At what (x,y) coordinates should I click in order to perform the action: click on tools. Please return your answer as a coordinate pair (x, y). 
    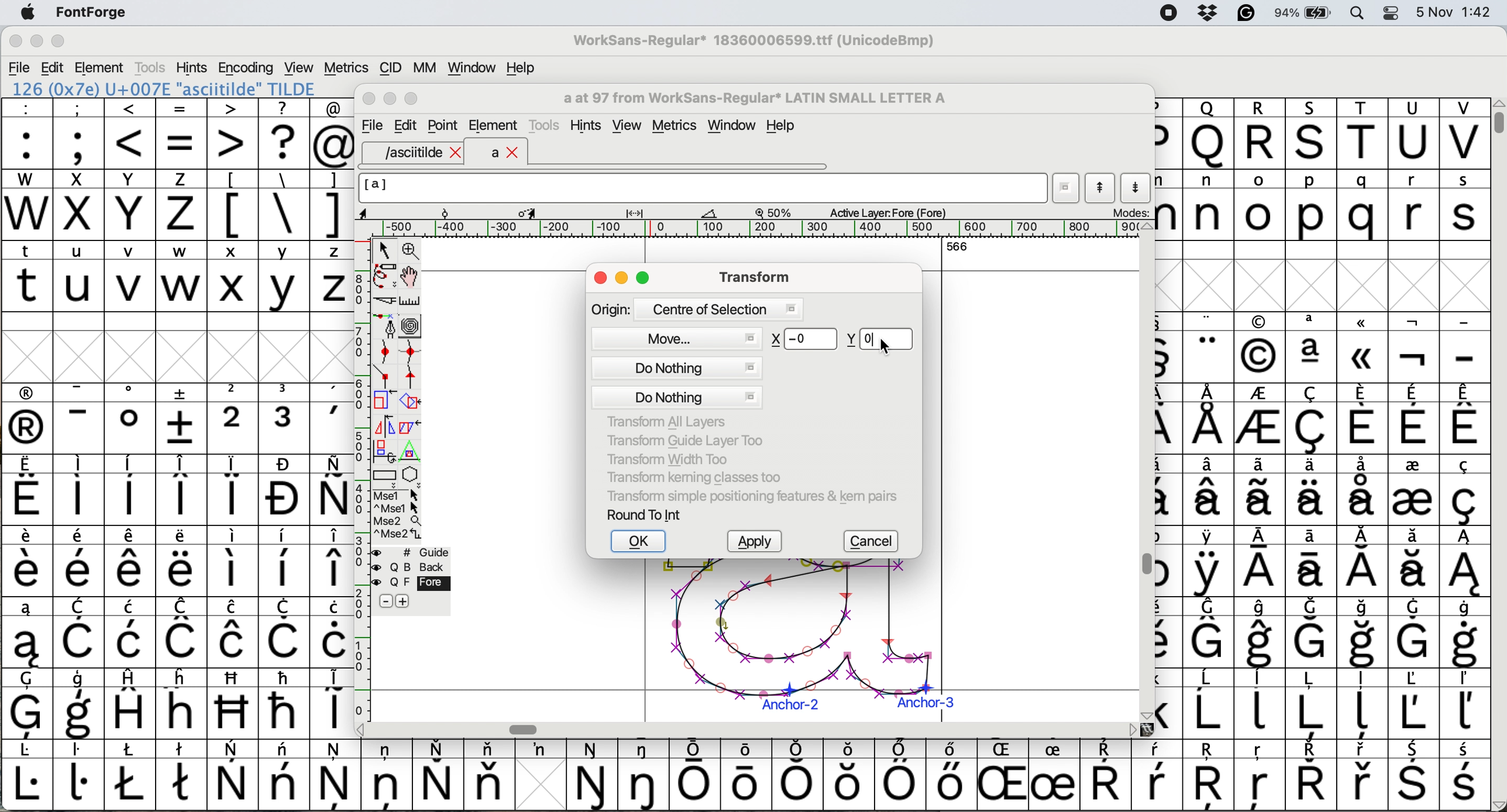
    Looking at the image, I should click on (546, 123).